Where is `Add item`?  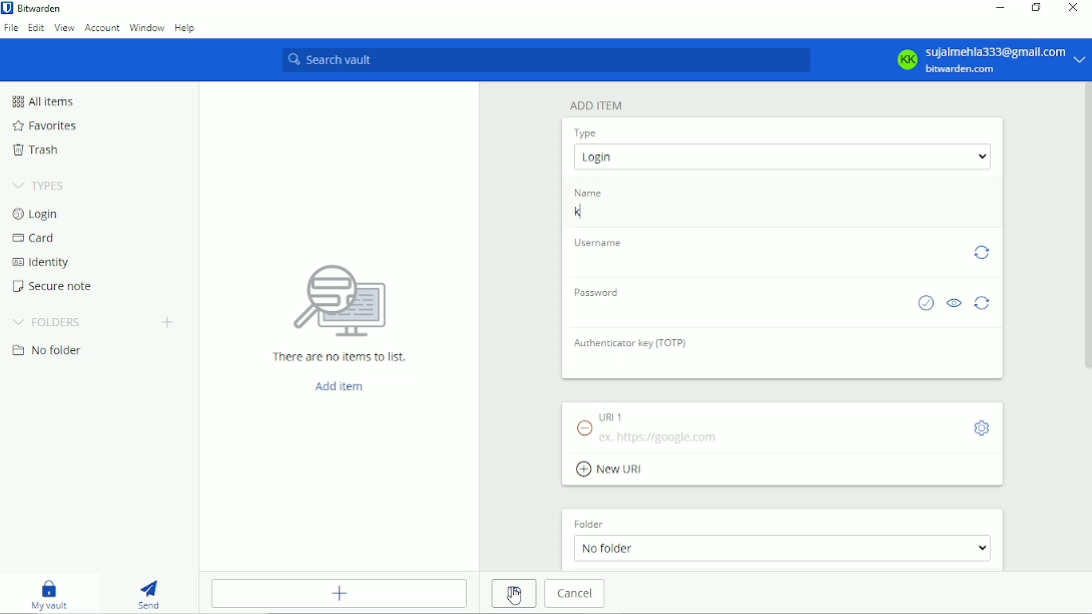 Add item is located at coordinates (339, 593).